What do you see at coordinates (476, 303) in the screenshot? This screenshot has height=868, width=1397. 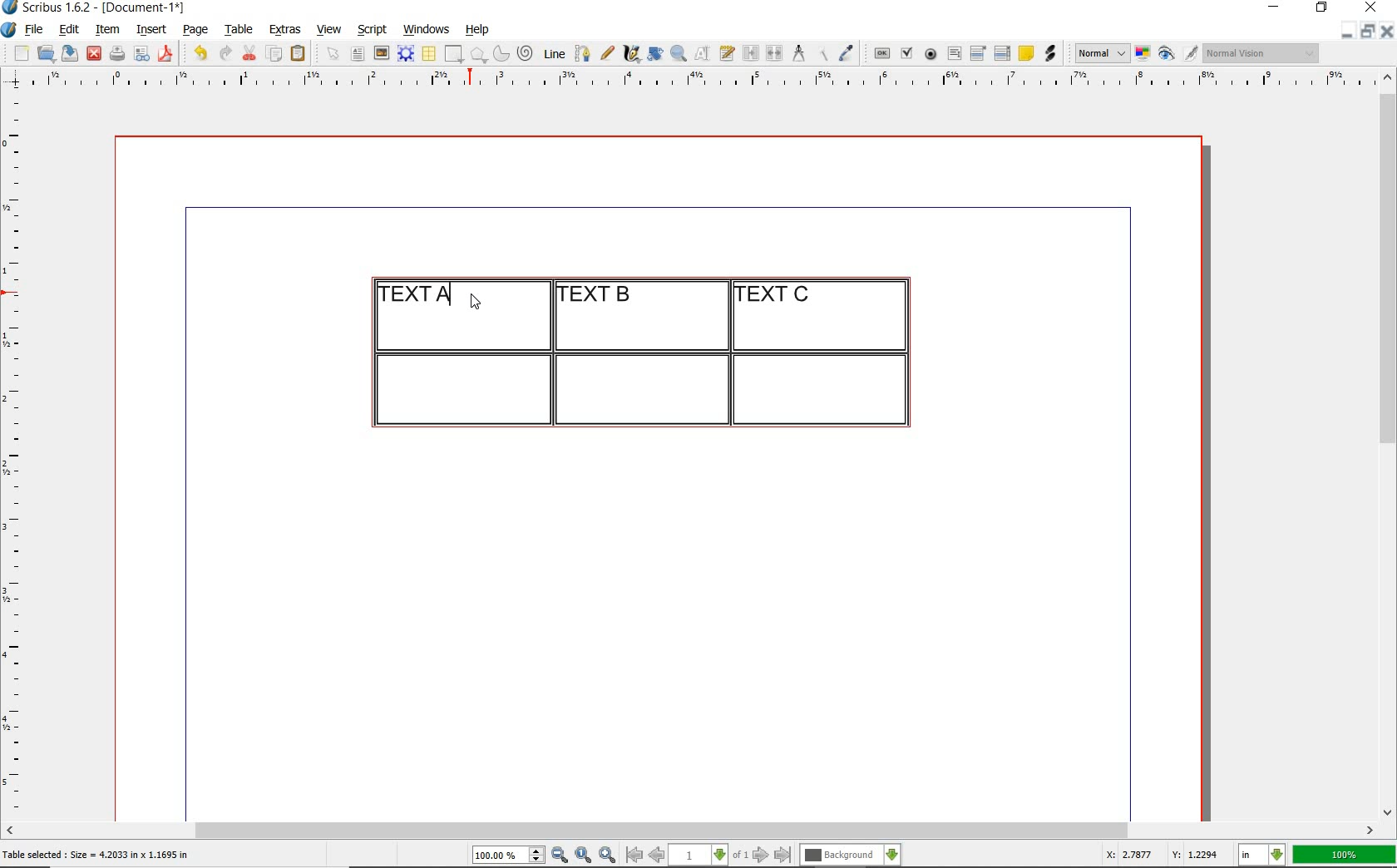 I see `cursor` at bounding box center [476, 303].